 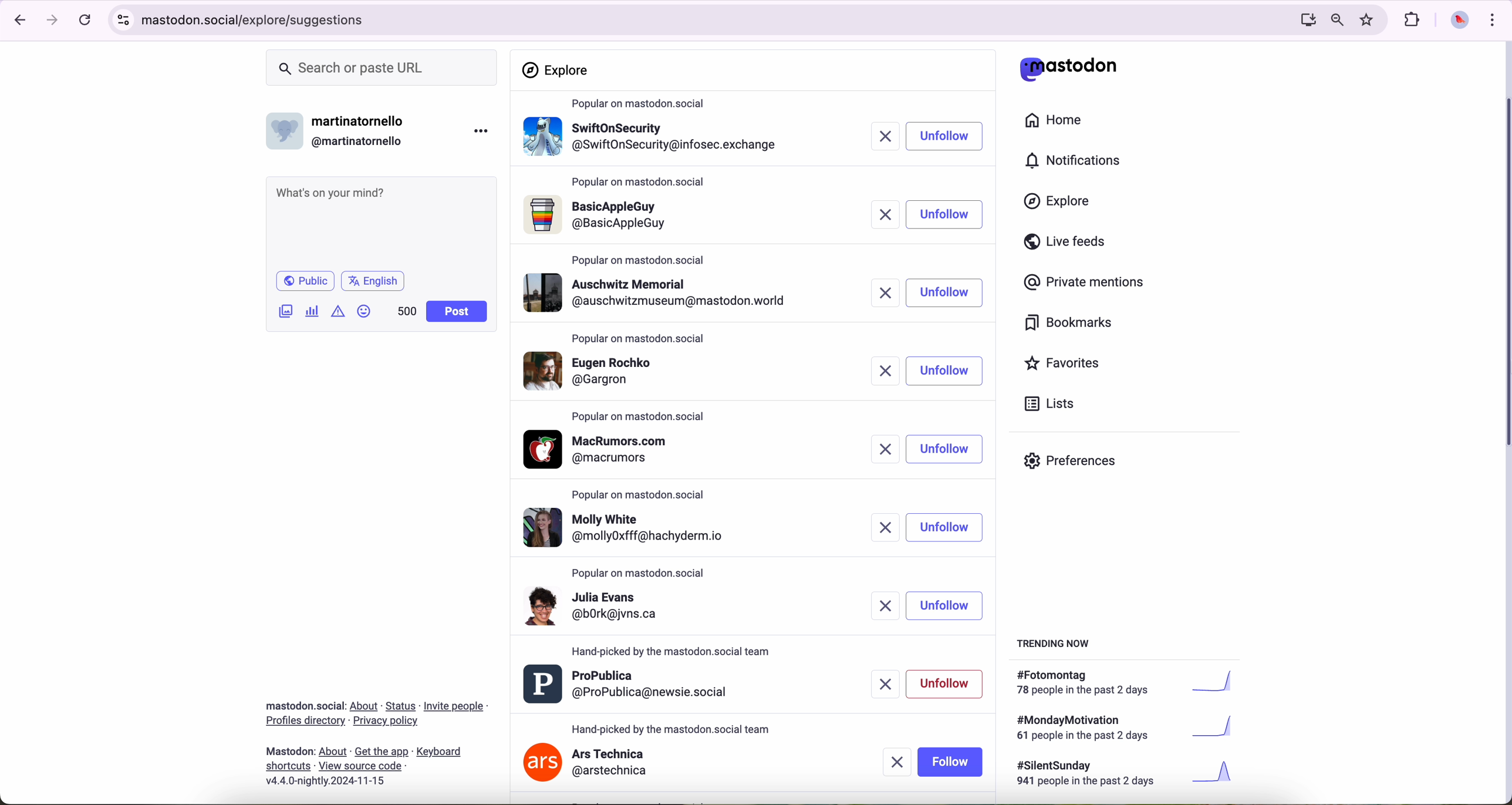 What do you see at coordinates (945, 137) in the screenshot?
I see `click on follow button` at bounding box center [945, 137].